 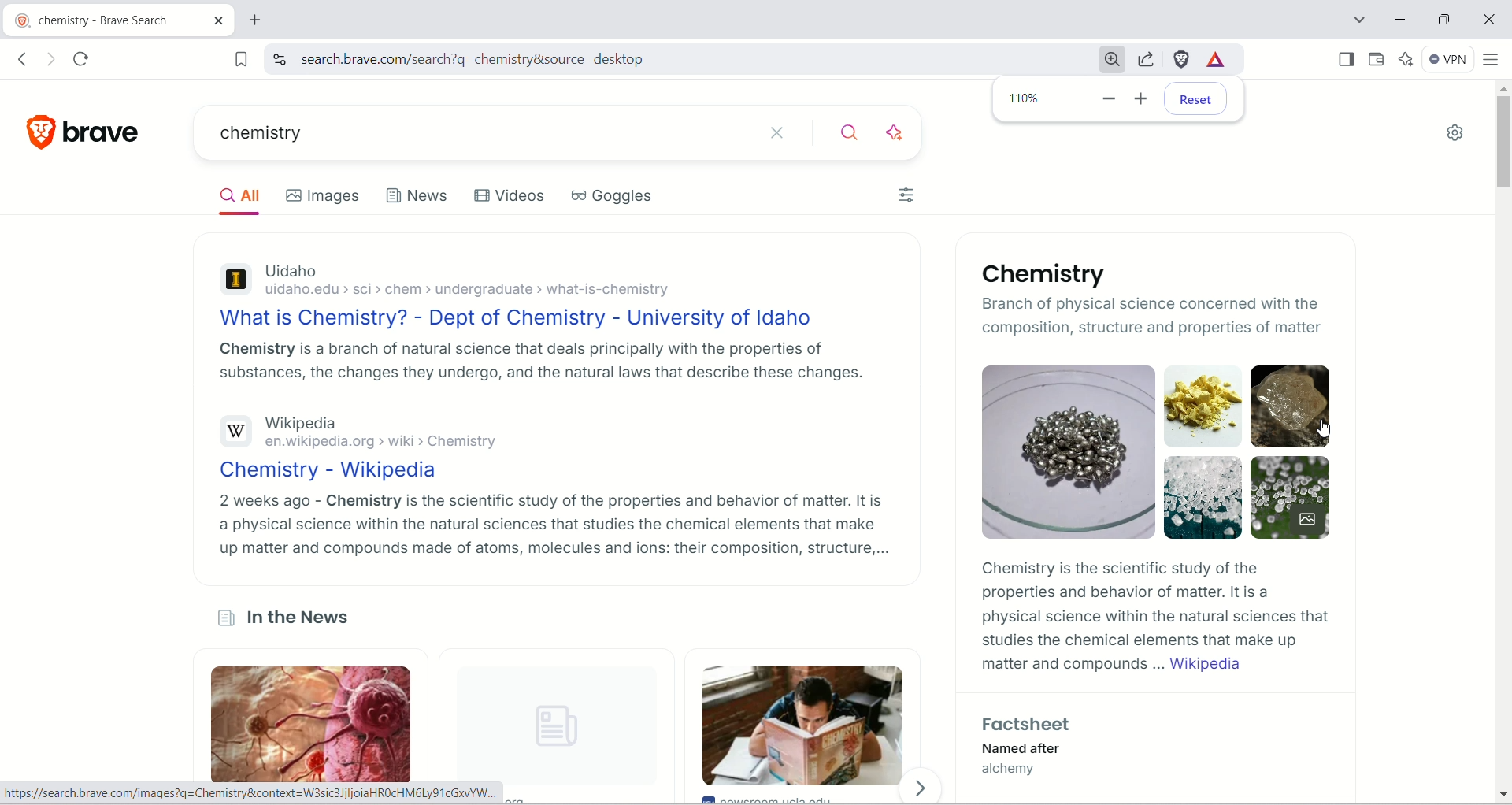 I want to click on Images, so click(x=1154, y=452).